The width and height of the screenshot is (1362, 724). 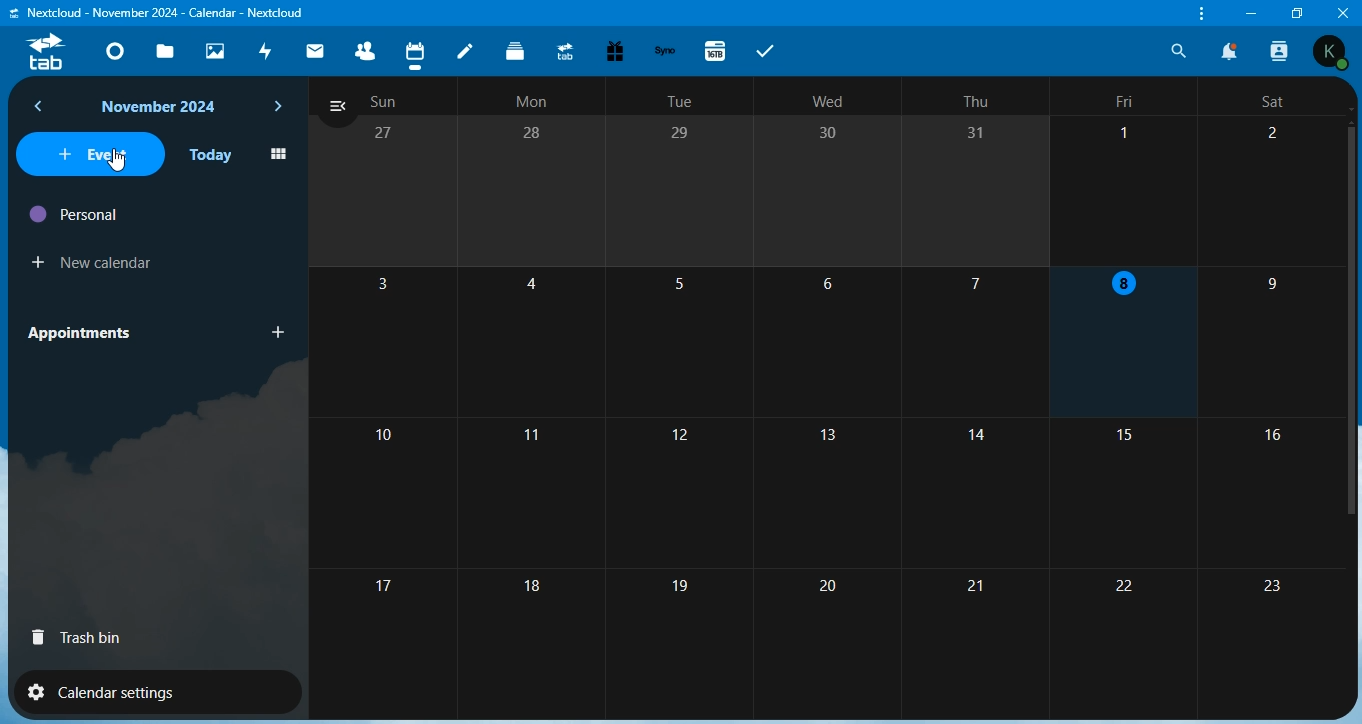 I want to click on close, so click(x=1342, y=12).